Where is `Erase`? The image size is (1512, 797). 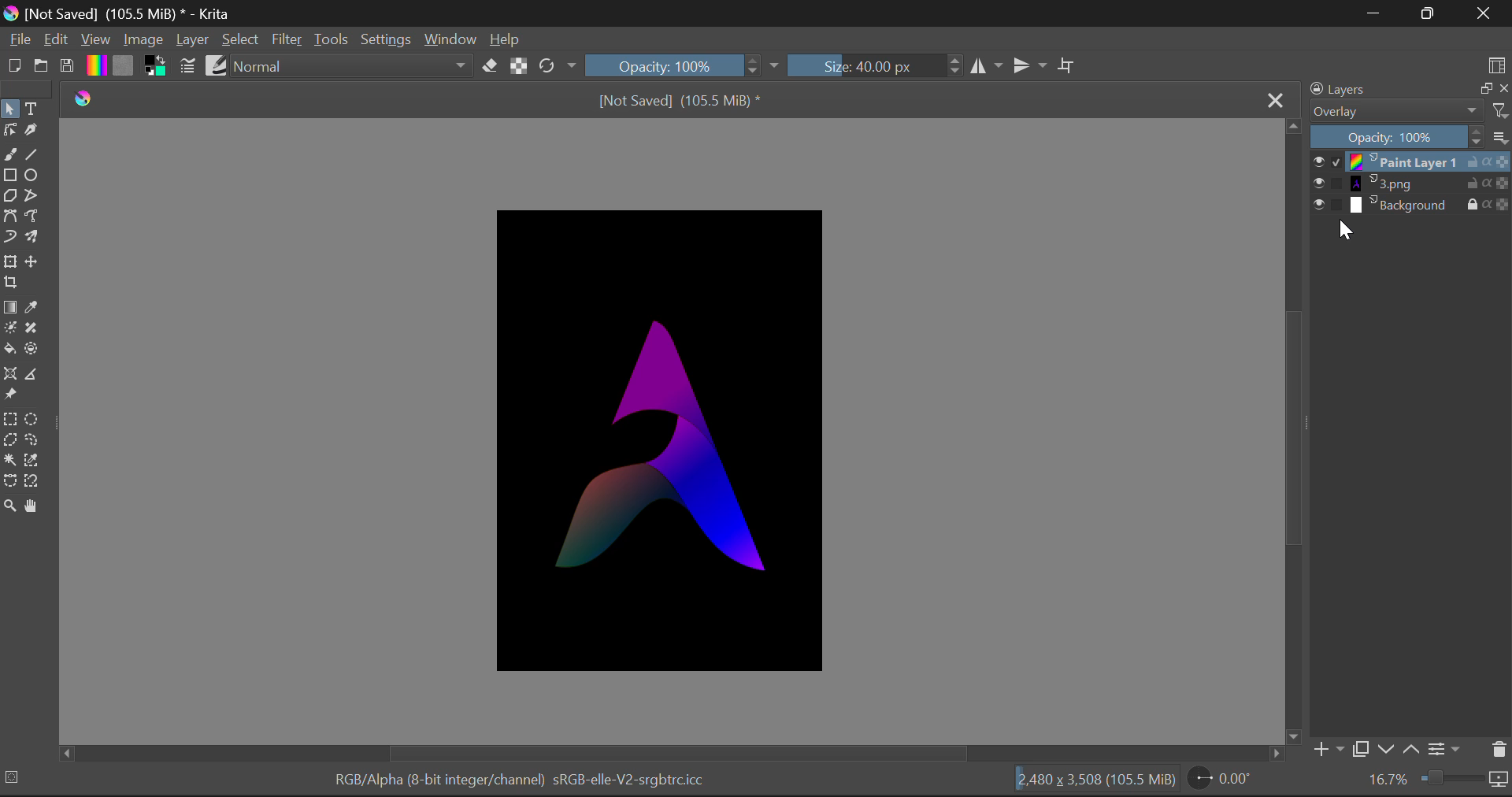 Erase is located at coordinates (492, 69).